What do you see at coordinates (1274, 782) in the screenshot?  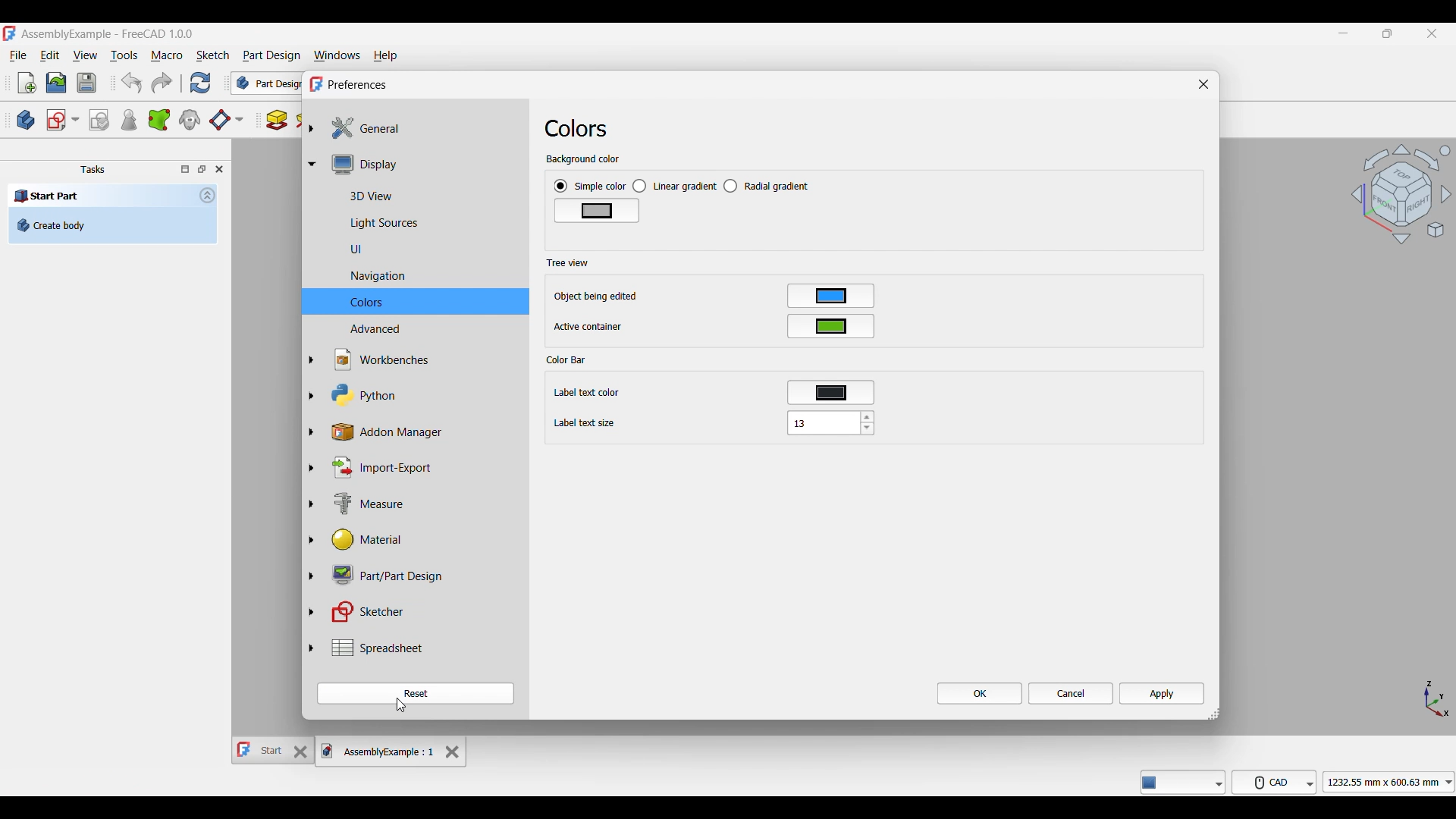 I see `CAD navigation style options` at bounding box center [1274, 782].